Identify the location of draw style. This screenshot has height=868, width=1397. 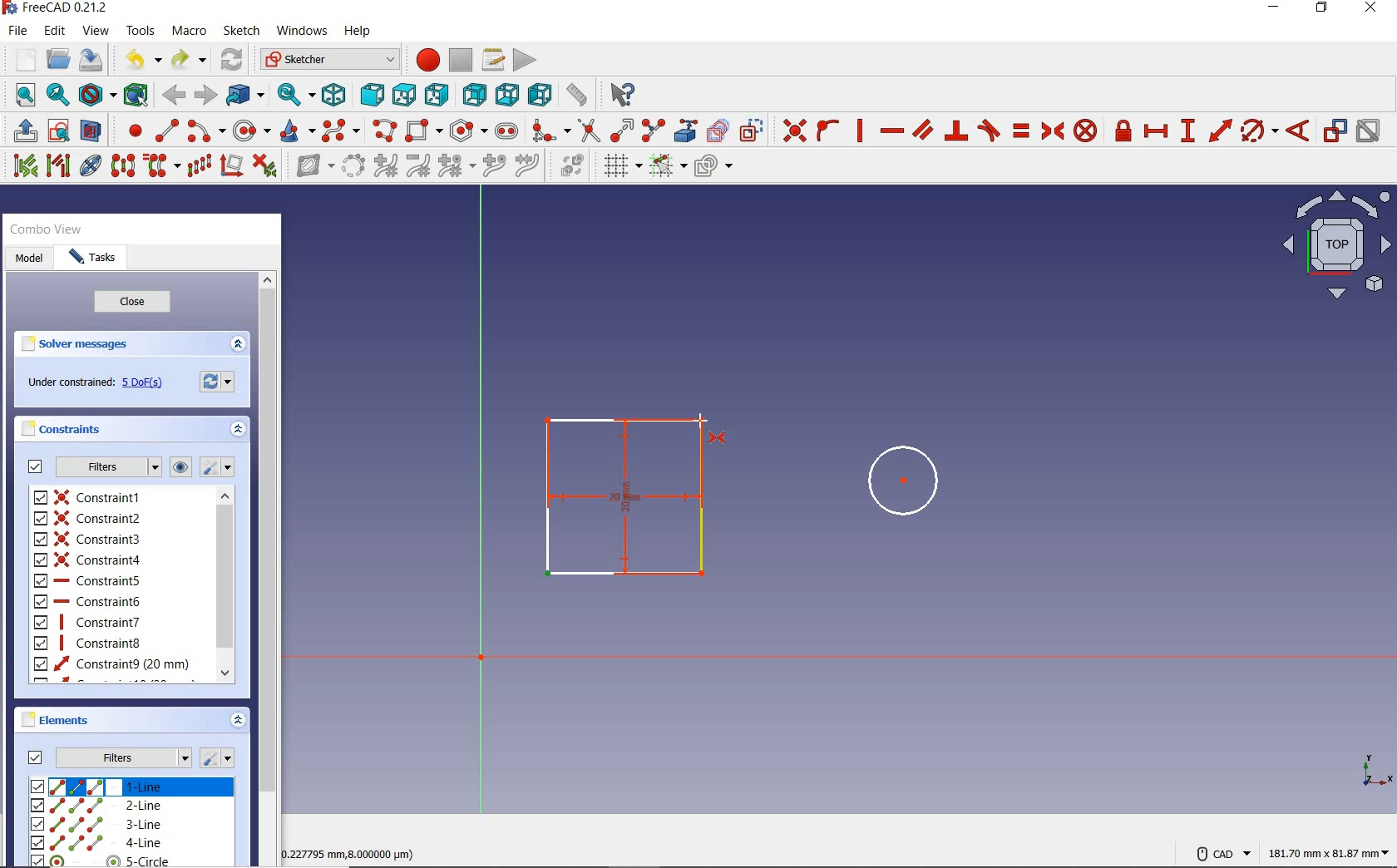
(95, 94).